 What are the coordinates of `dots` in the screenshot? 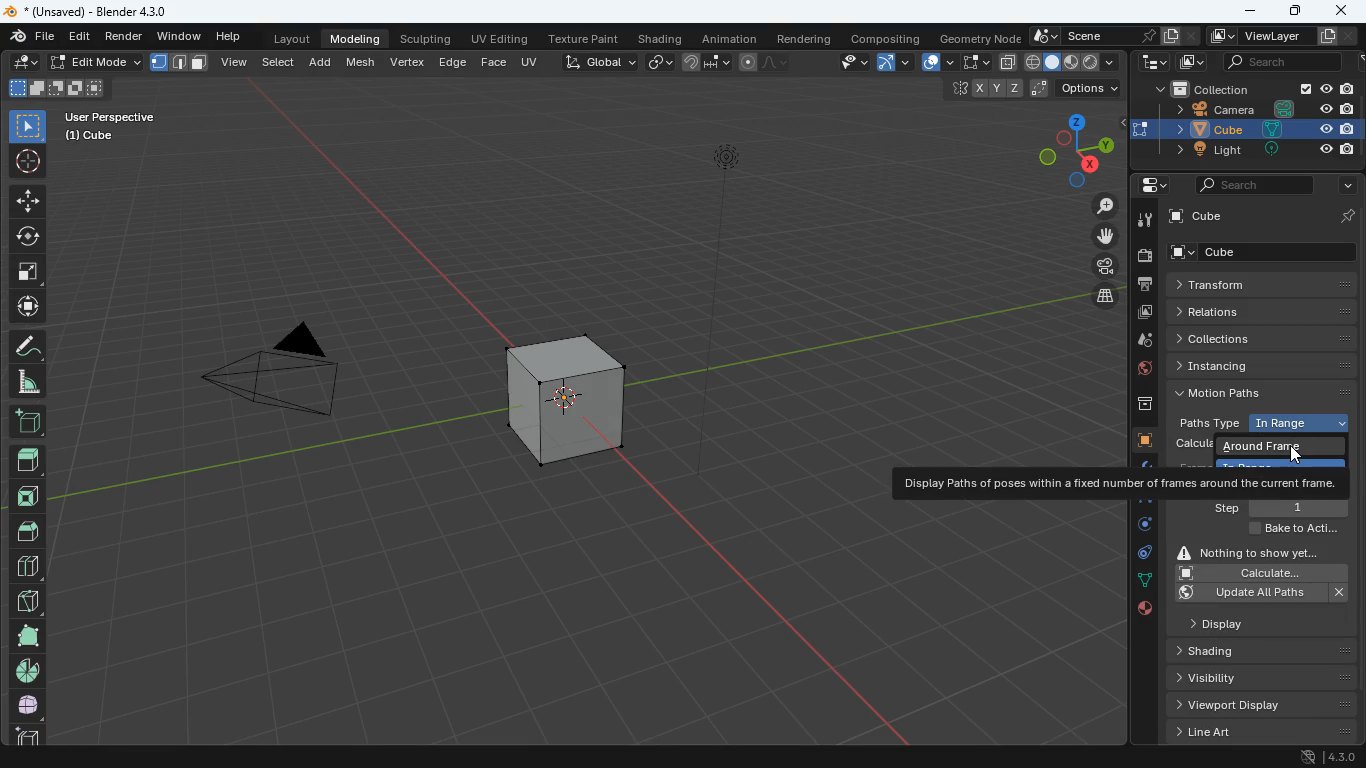 It's located at (1142, 582).